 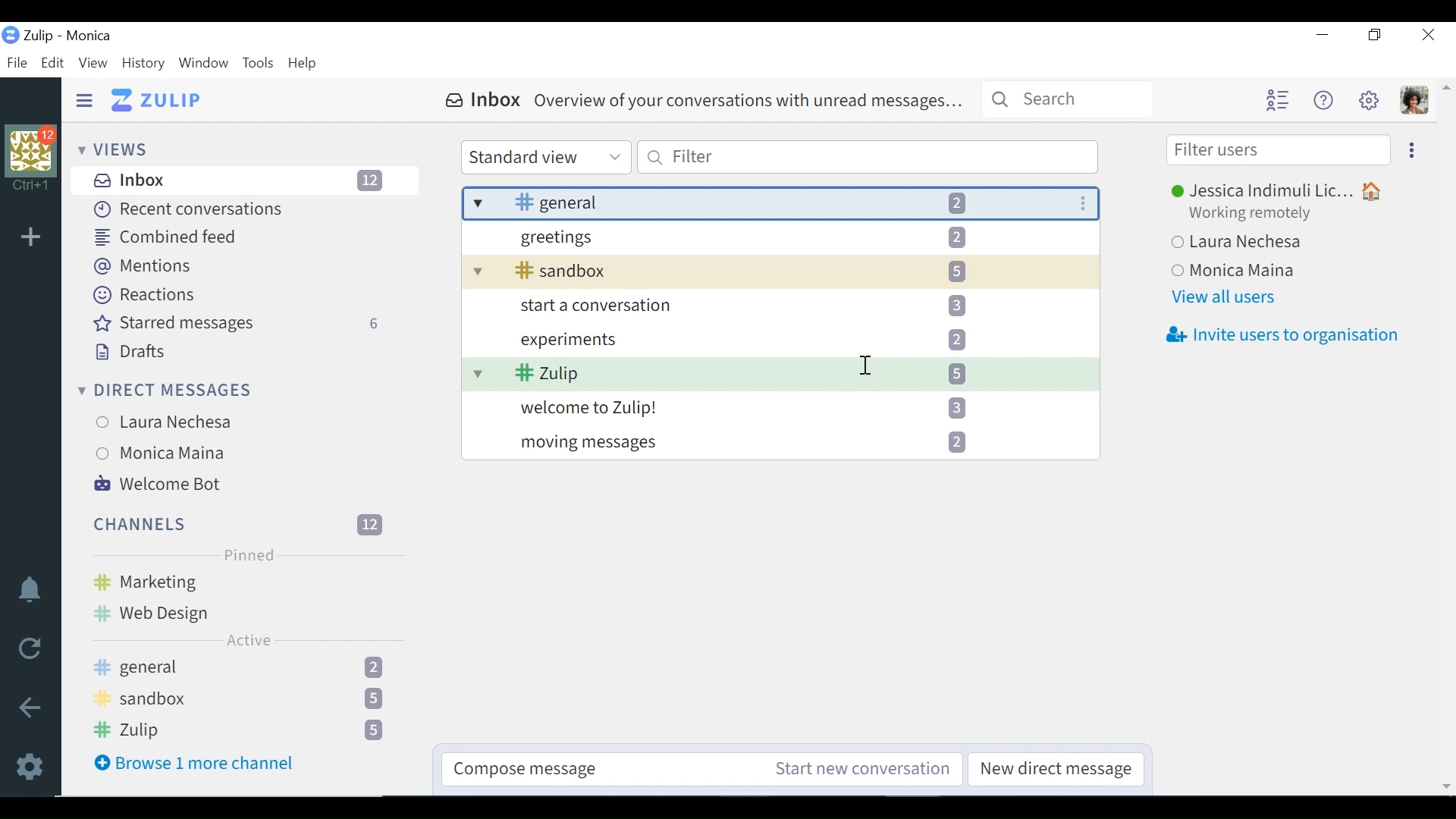 I want to click on Zulip Desktop Icon, so click(x=31, y=35).